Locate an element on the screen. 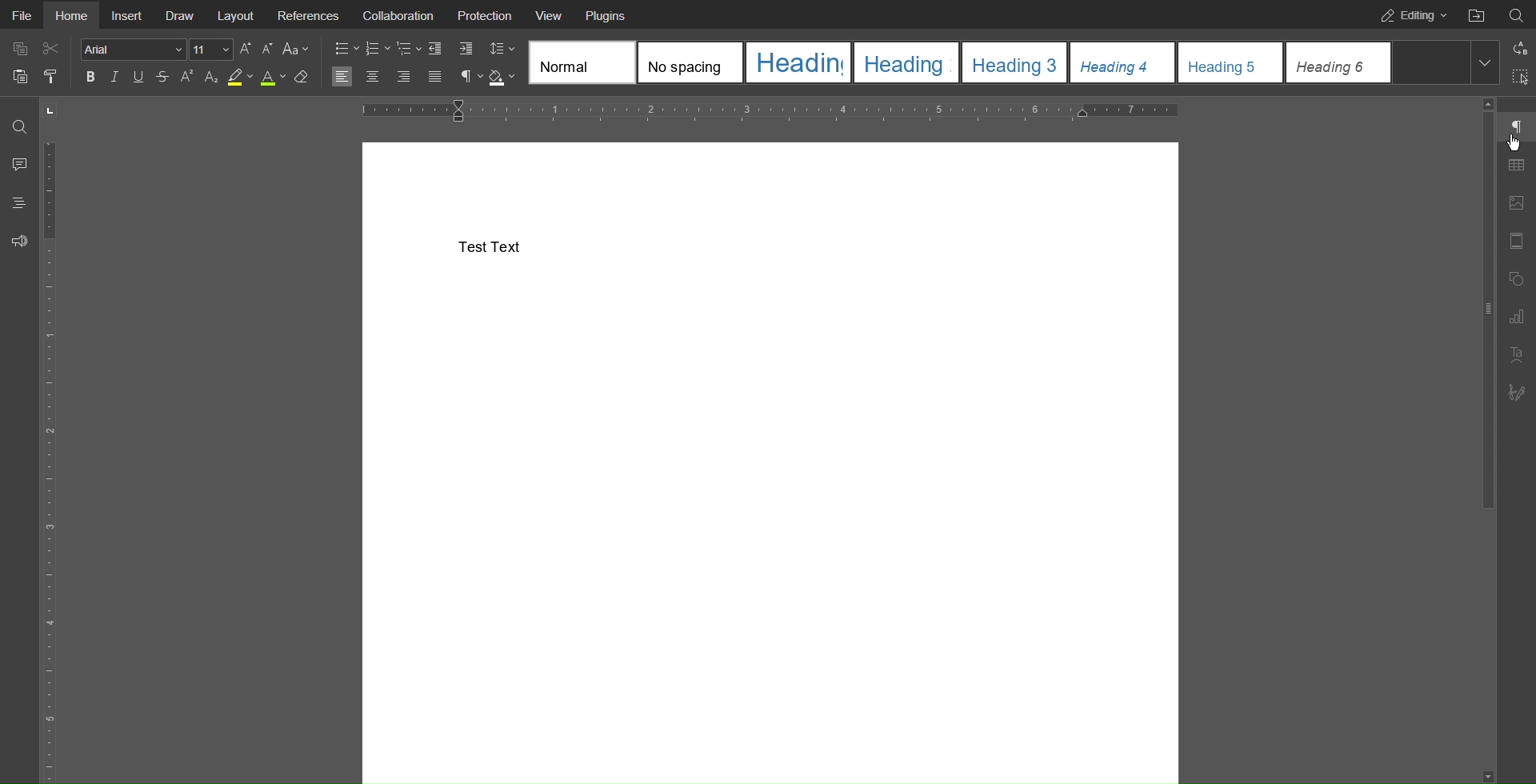 This screenshot has width=1536, height=784. Layout is located at coordinates (237, 14).